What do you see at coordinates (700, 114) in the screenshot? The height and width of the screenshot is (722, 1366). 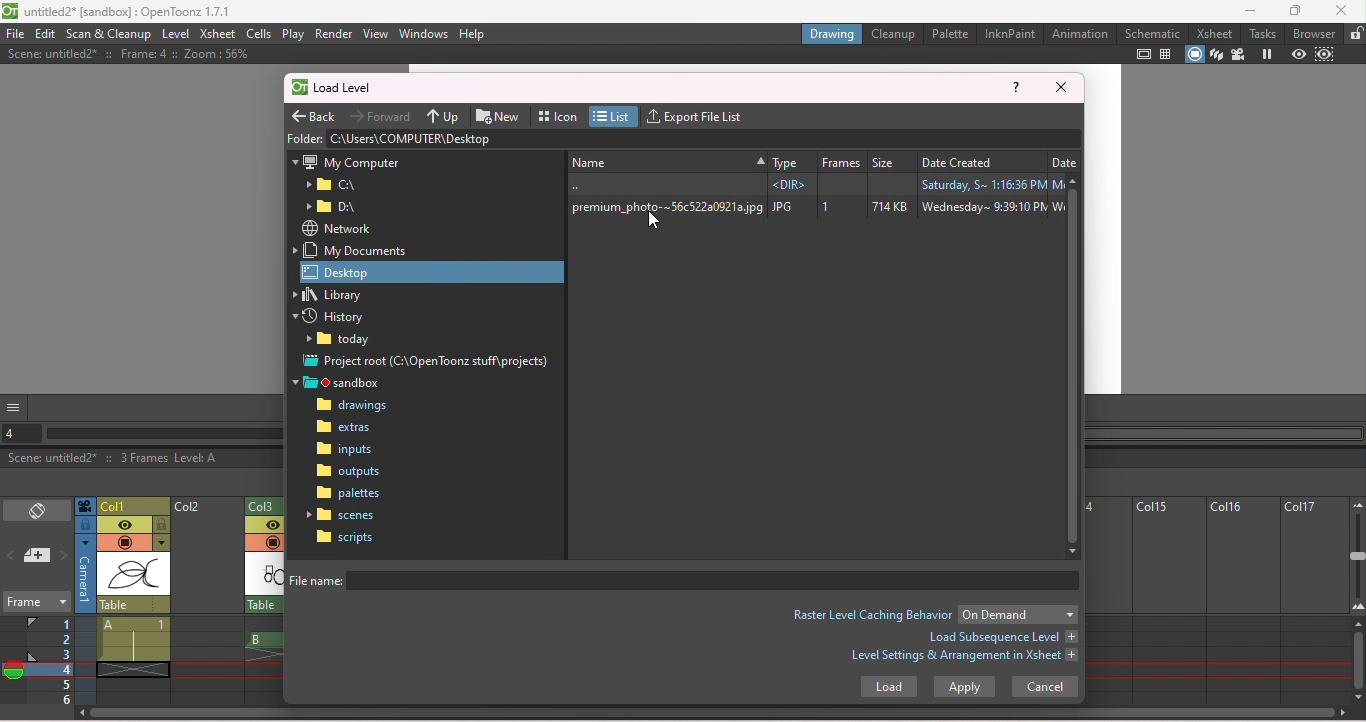 I see `Export file list` at bounding box center [700, 114].